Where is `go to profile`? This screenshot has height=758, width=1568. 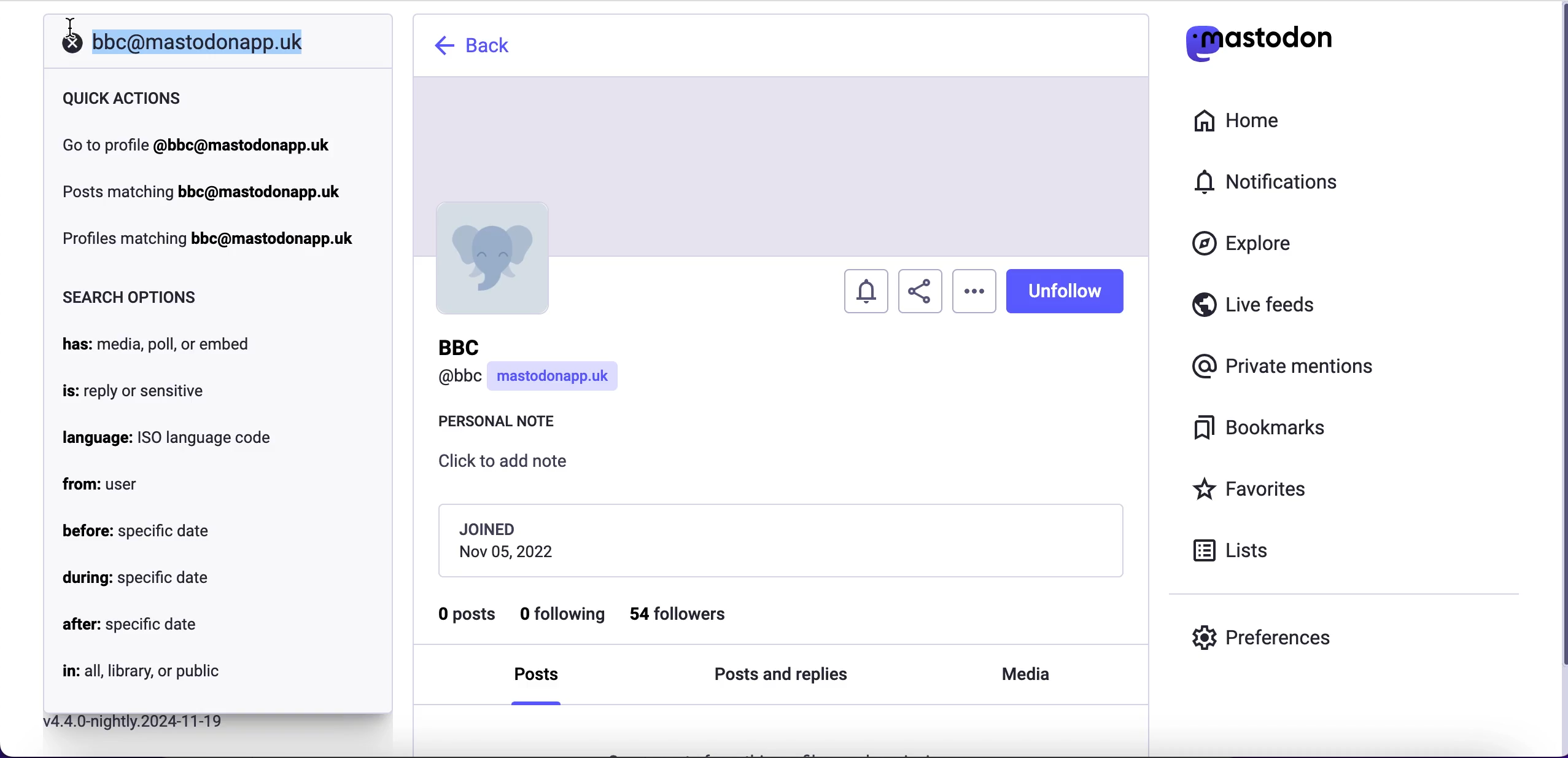
go to profile is located at coordinates (197, 145).